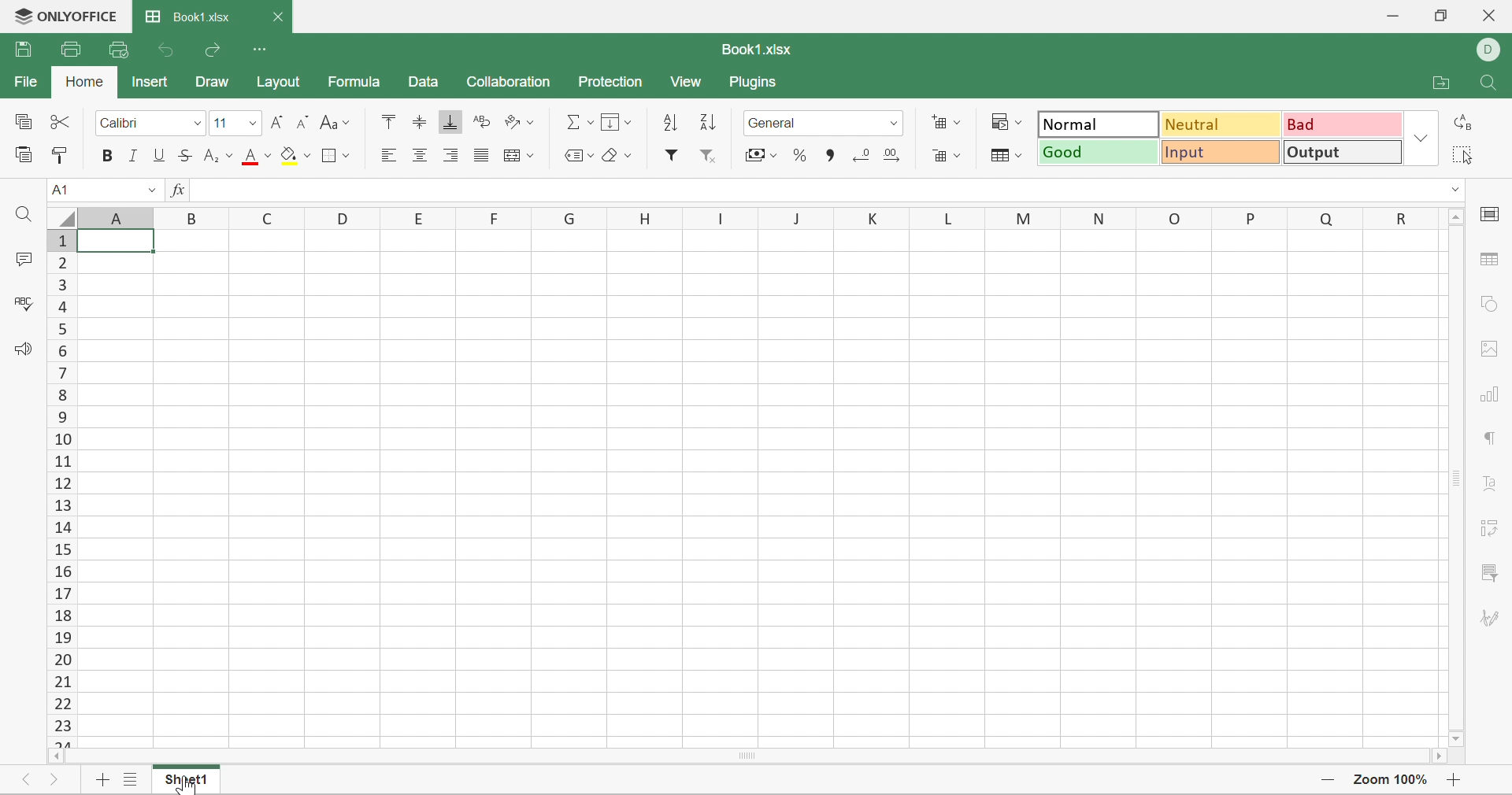 Image resolution: width=1512 pixels, height=795 pixels. I want to click on 2, so click(61, 263).